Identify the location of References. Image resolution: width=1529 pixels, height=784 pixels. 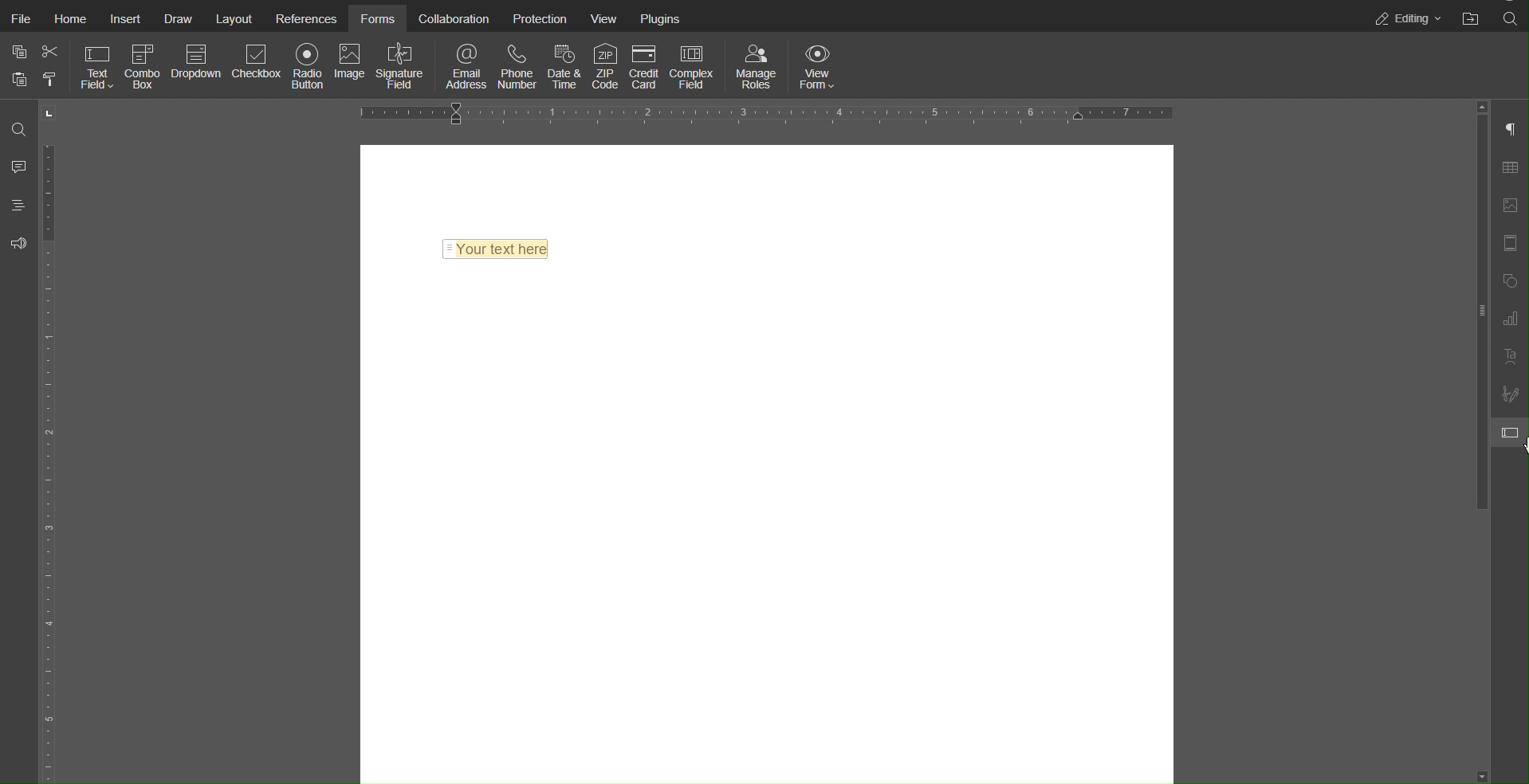
(305, 20).